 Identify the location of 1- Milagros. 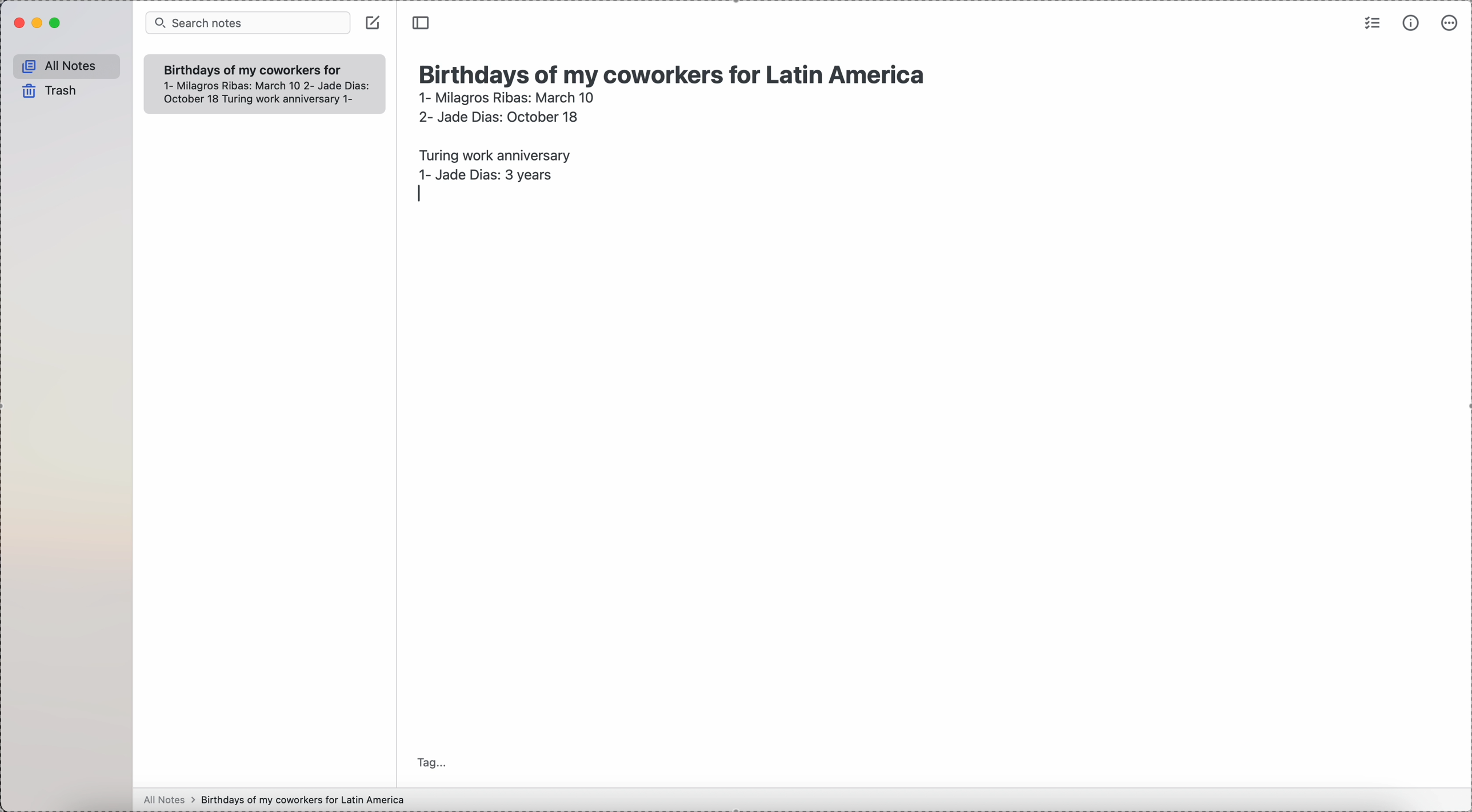
(506, 97).